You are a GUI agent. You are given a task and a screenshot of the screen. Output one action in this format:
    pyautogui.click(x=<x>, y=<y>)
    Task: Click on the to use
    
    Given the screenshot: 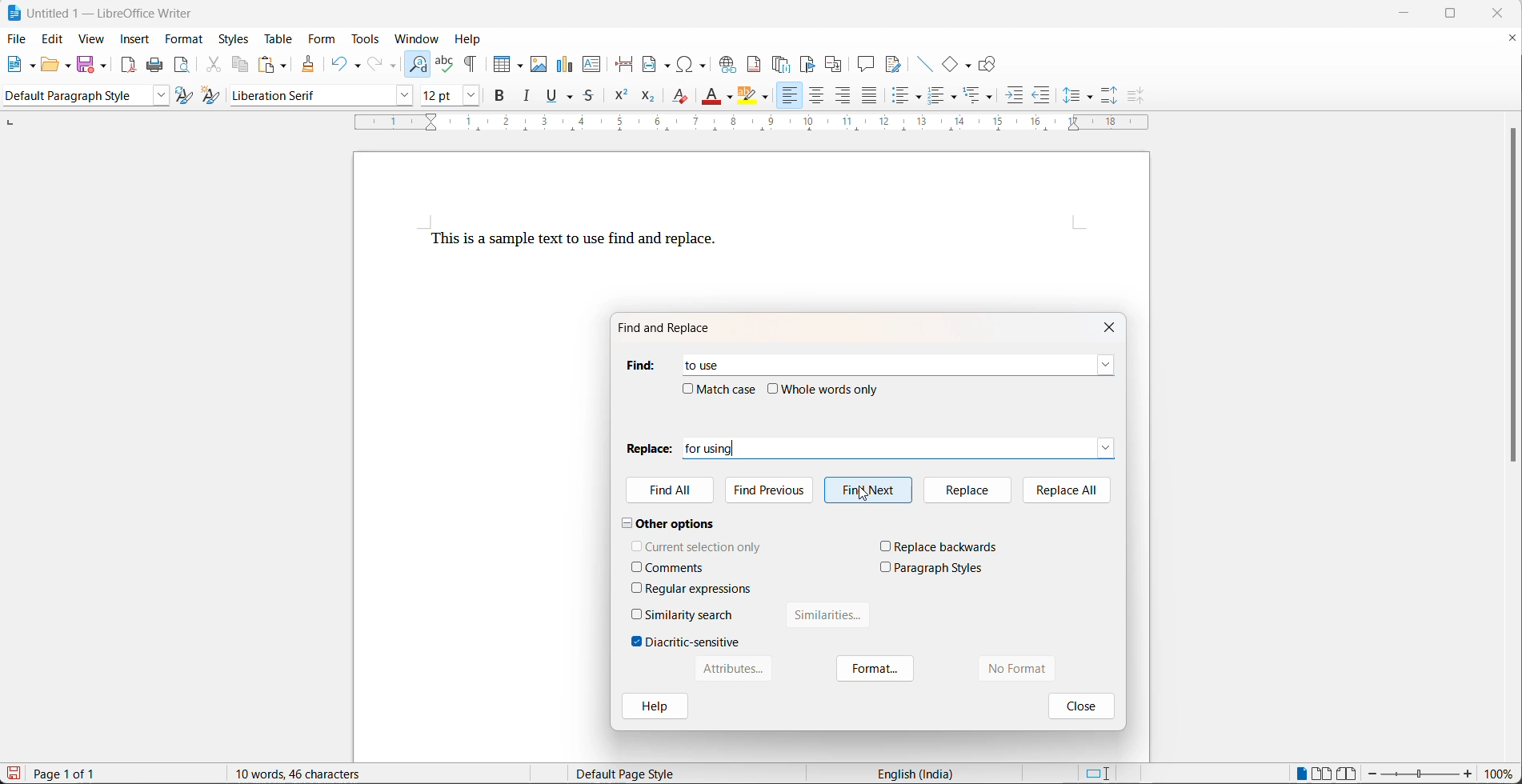 What is the action you would take?
    pyautogui.click(x=695, y=362)
    